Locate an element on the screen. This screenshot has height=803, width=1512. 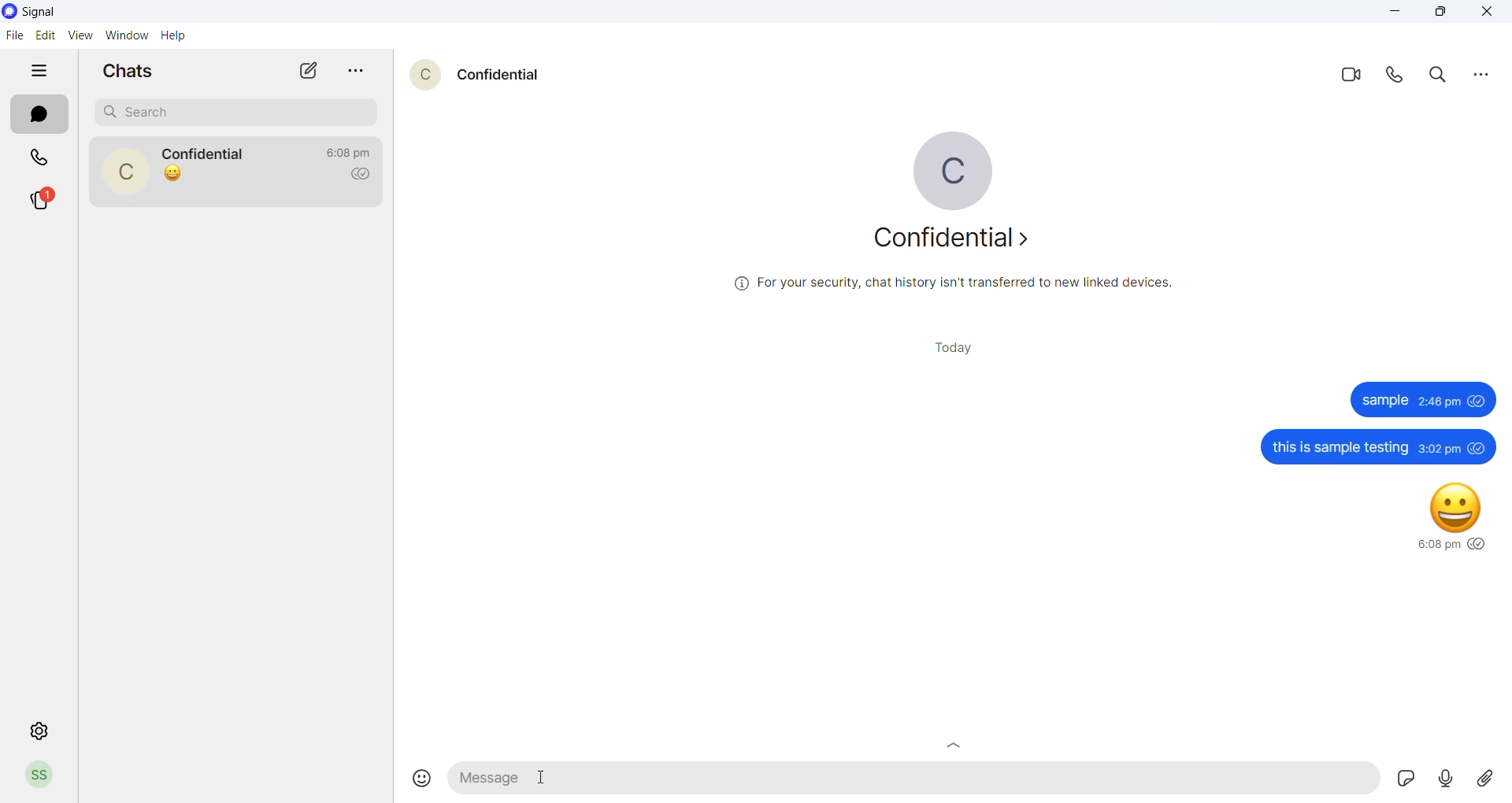
close is located at coordinates (1488, 13).